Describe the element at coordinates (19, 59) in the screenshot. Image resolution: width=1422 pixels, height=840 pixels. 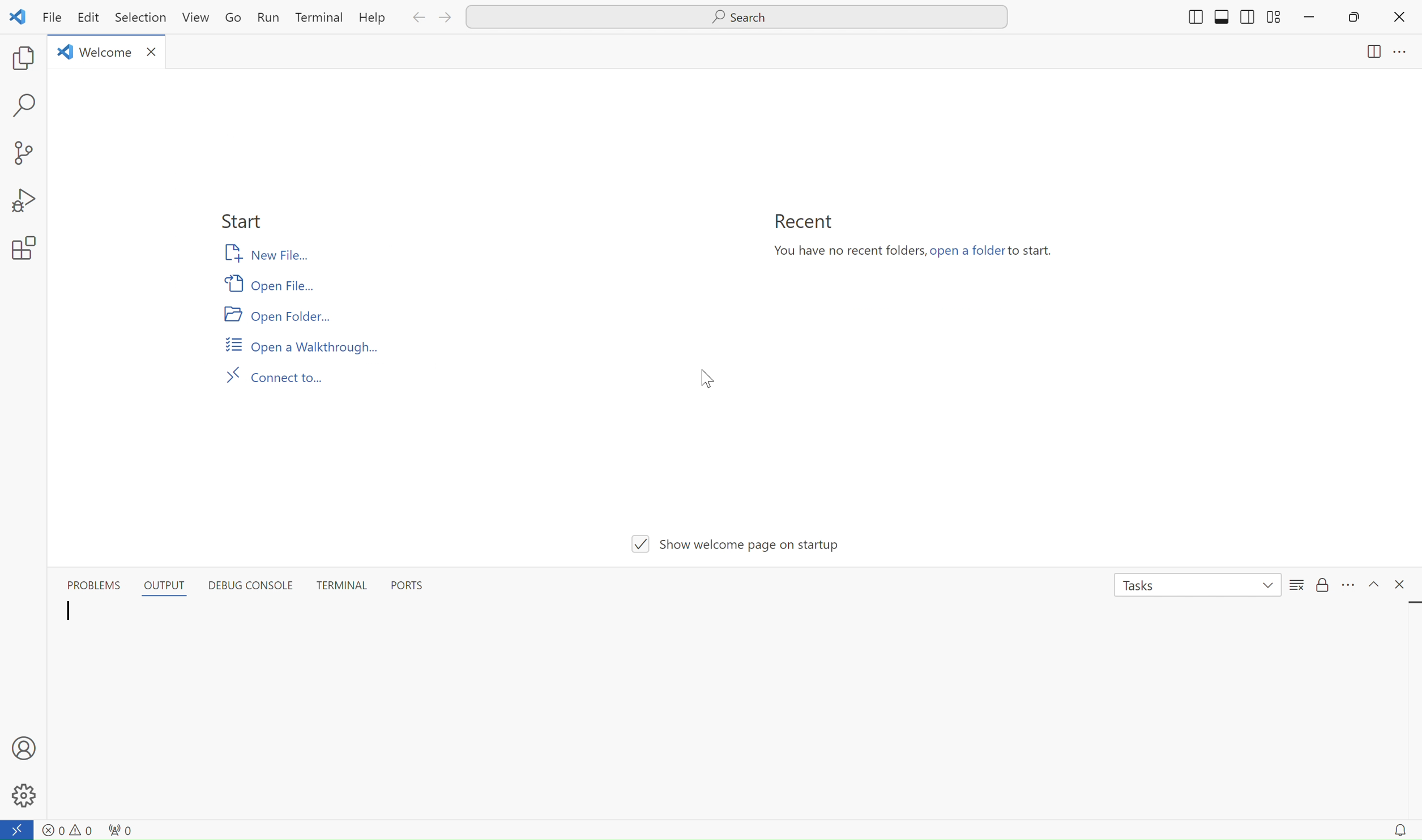
I see `copy` at that location.